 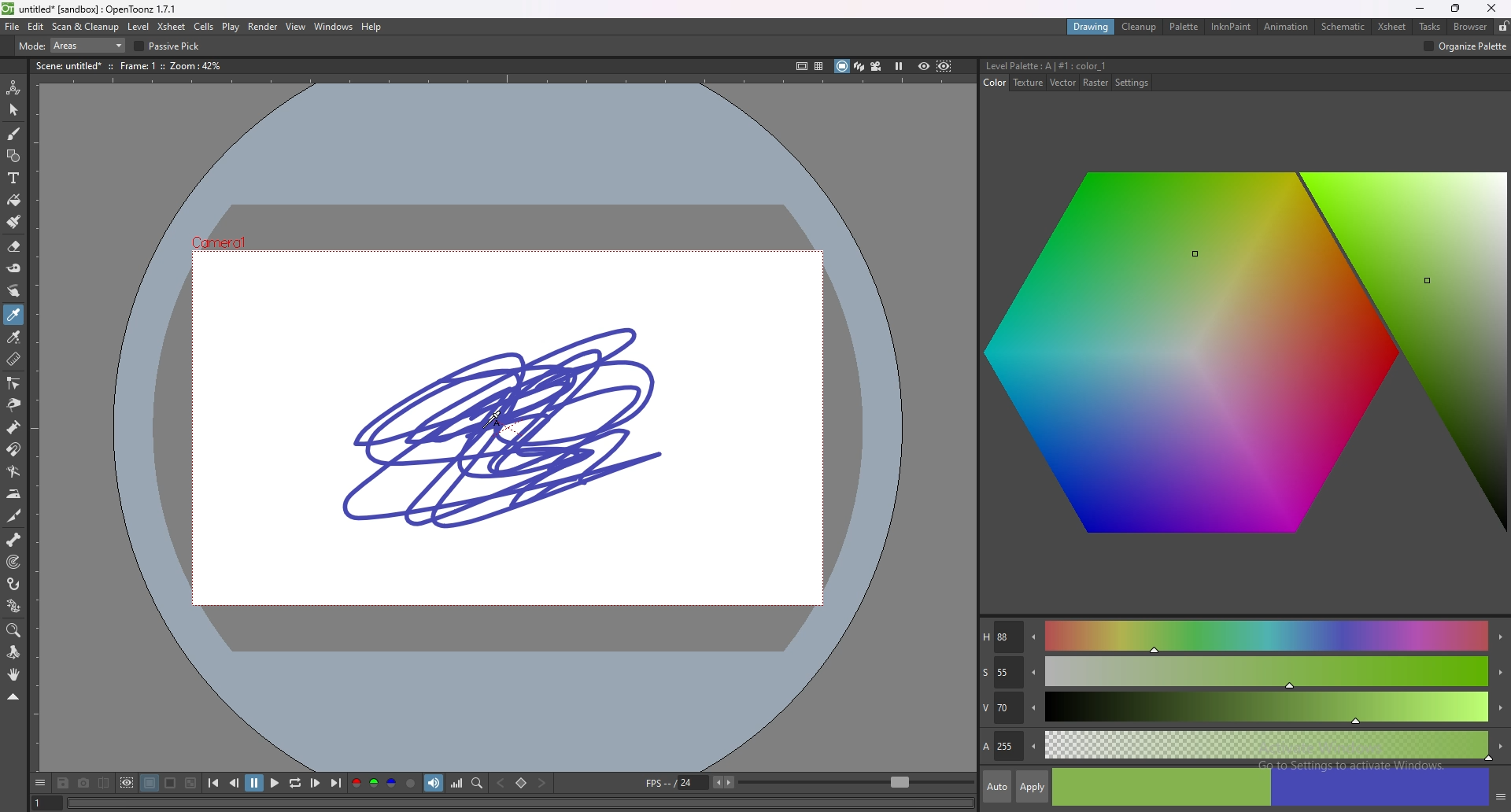 What do you see at coordinates (66, 46) in the screenshot?
I see `type` at bounding box center [66, 46].